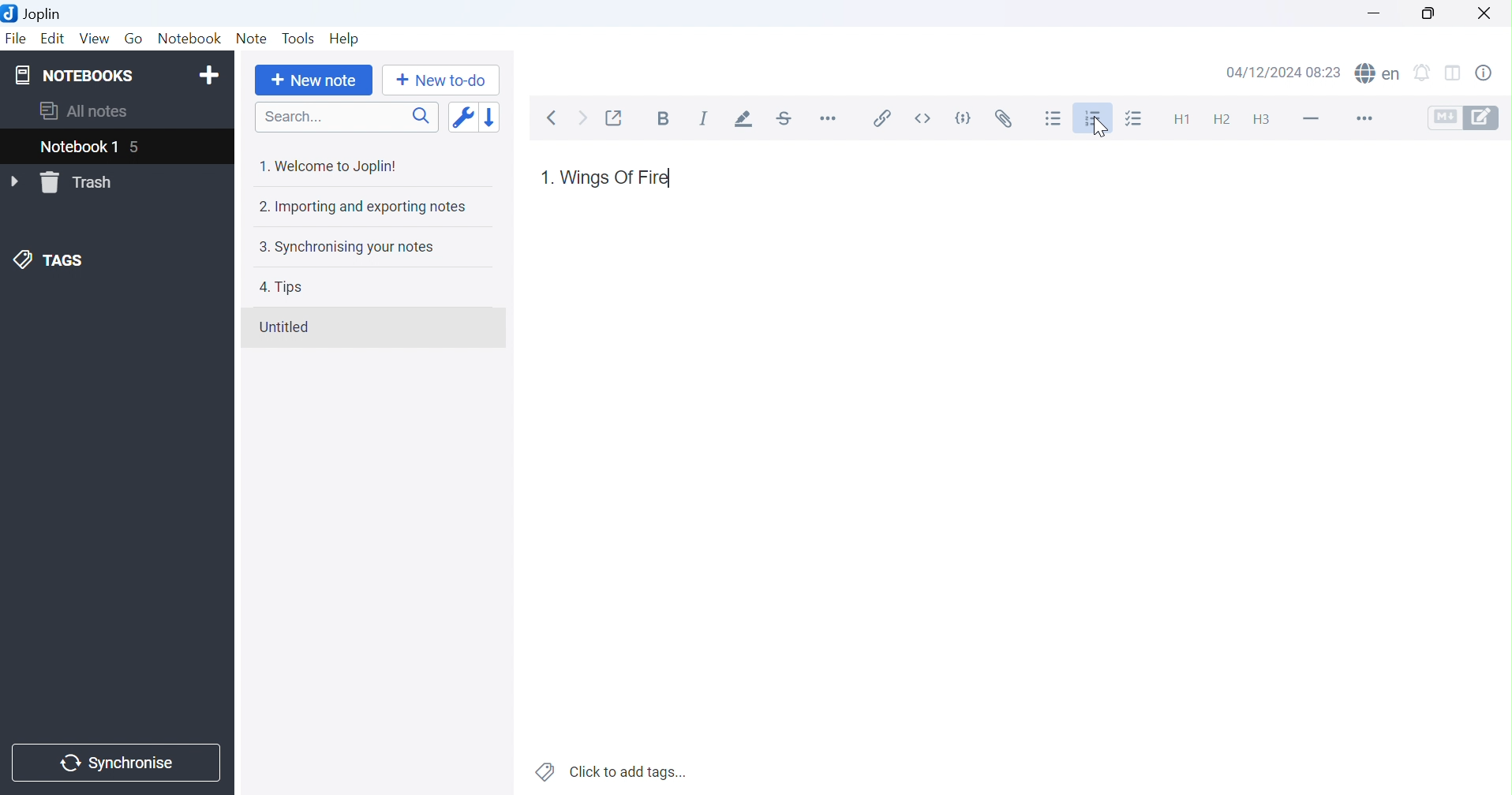 This screenshot has height=795, width=1512. Describe the element at coordinates (298, 38) in the screenshot. I see `Tools` at that location.